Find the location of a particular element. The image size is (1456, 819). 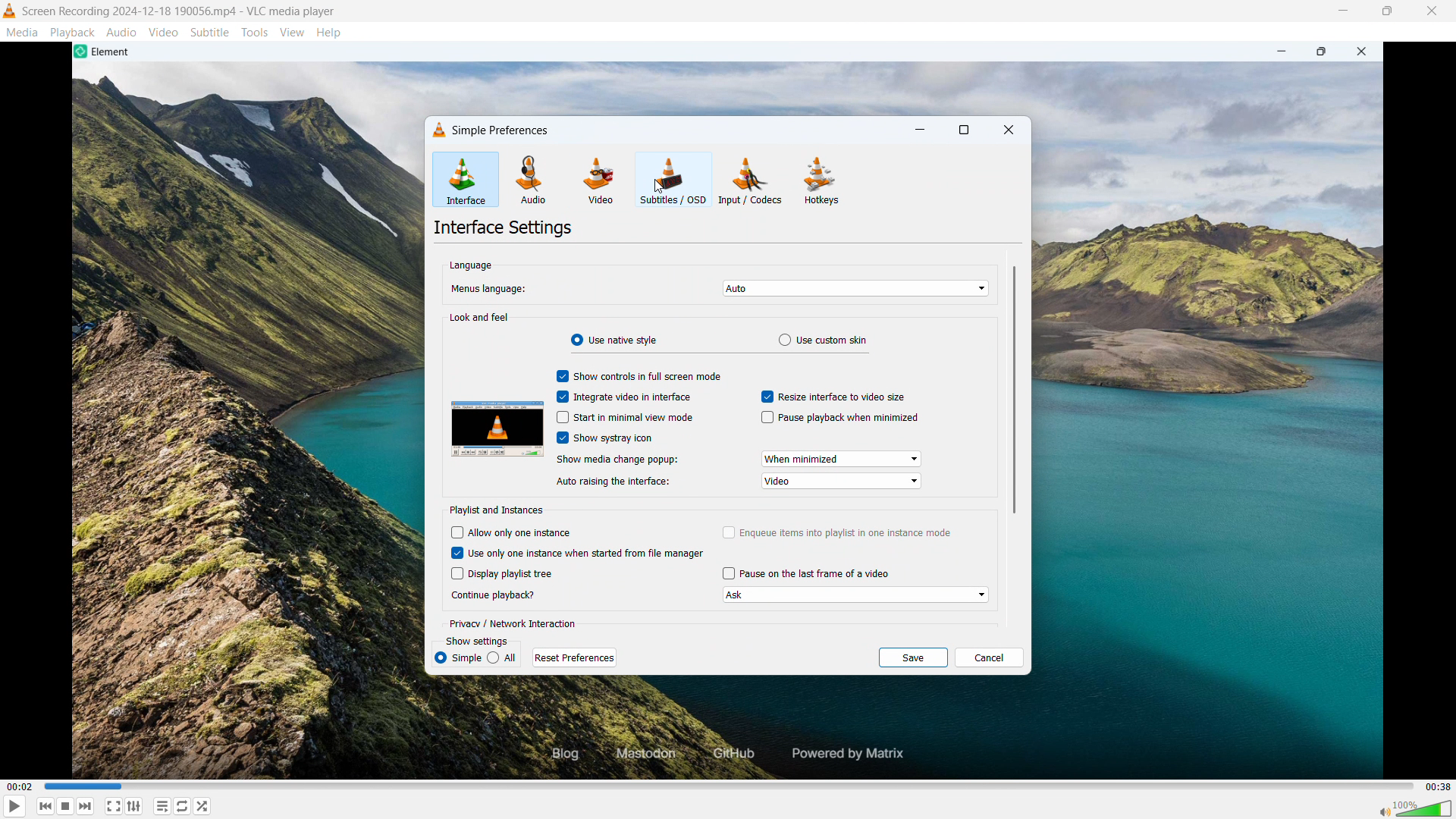

all  is located at coordinates (503, 657).